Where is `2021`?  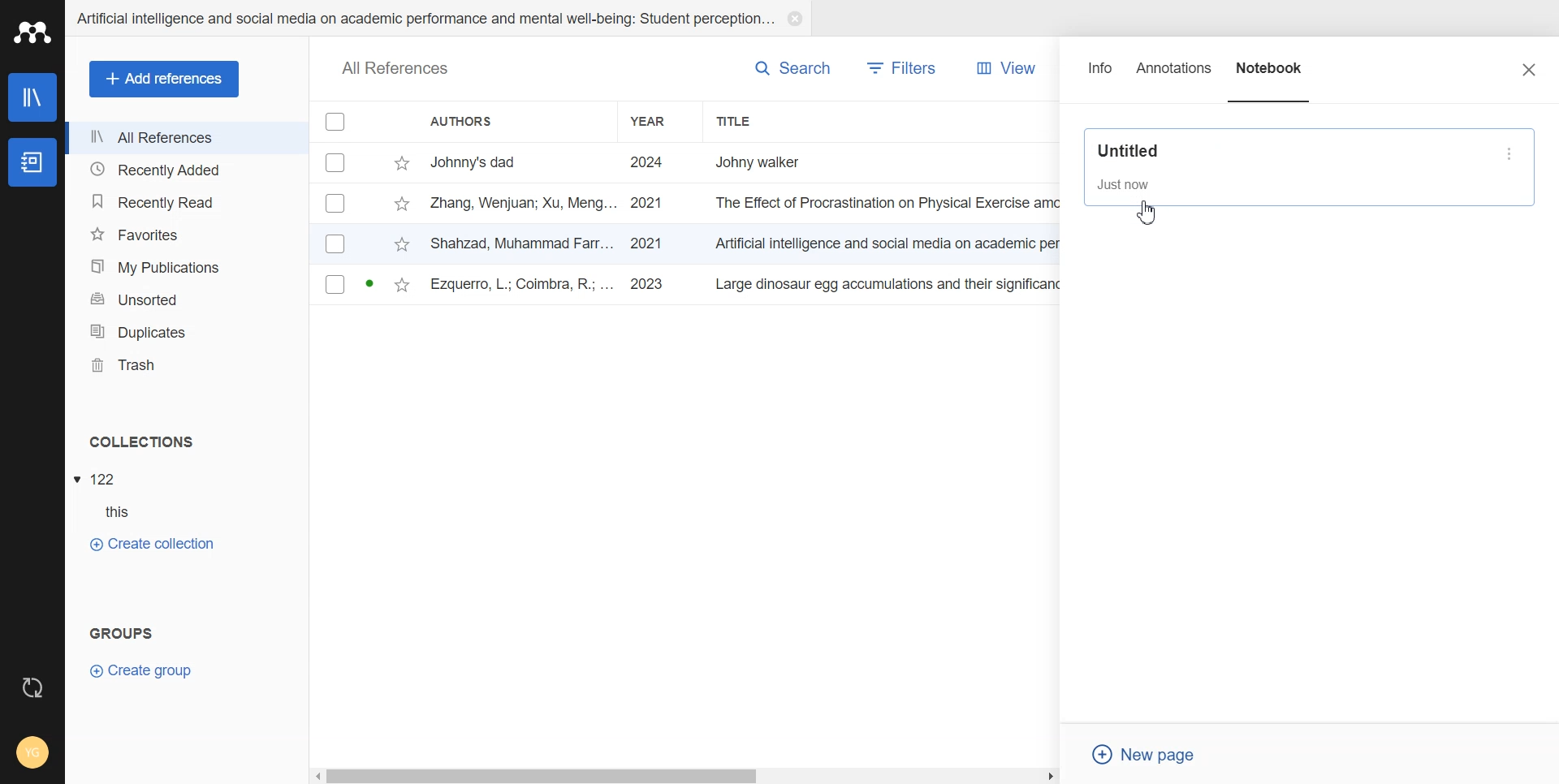
2021 is located at coordinates (646, 243).